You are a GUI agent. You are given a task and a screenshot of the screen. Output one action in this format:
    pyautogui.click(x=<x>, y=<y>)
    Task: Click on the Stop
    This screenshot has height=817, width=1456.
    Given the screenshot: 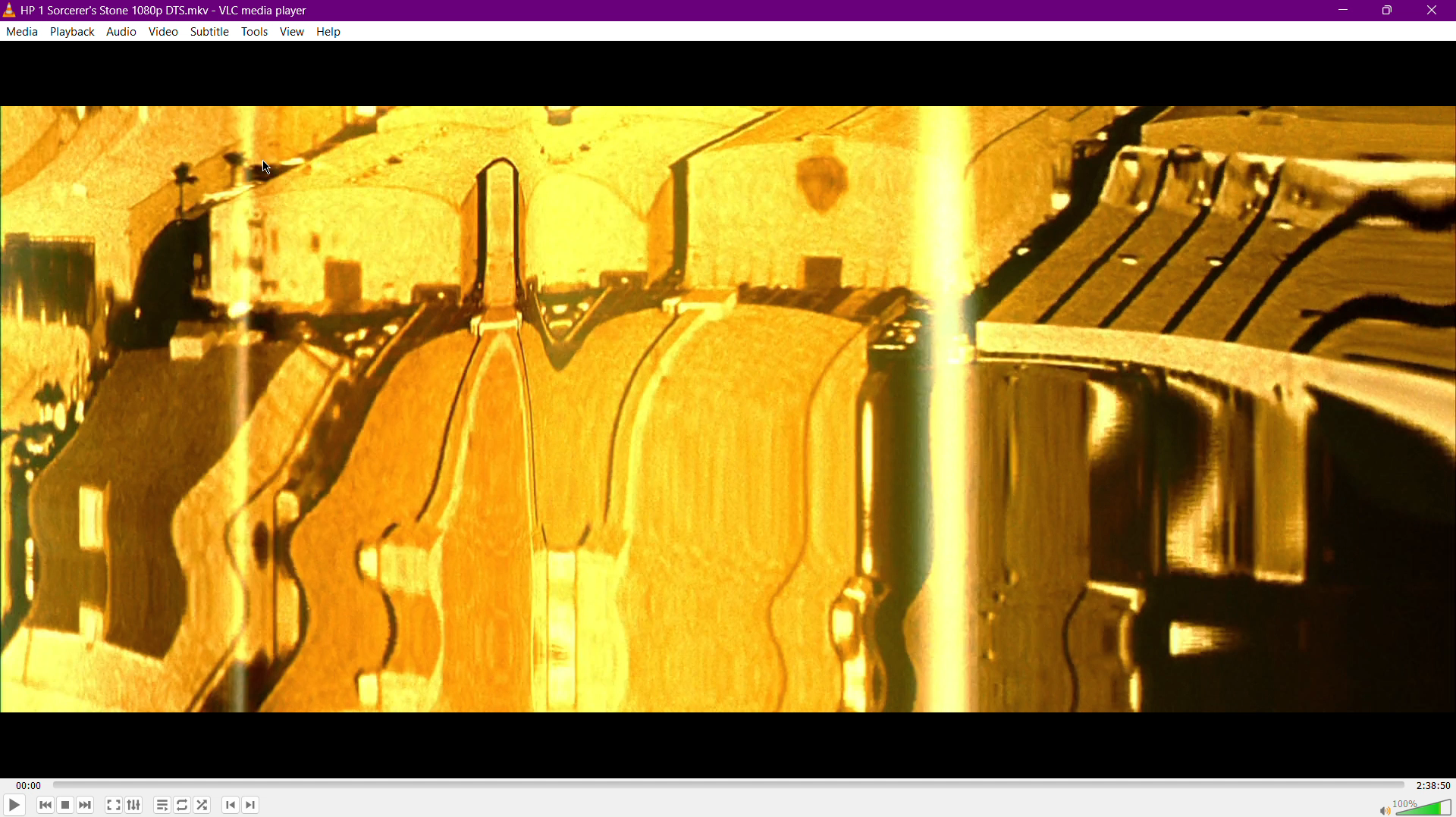 What is the action you would take?
    pyautogui.click(x=66, y=806)
    